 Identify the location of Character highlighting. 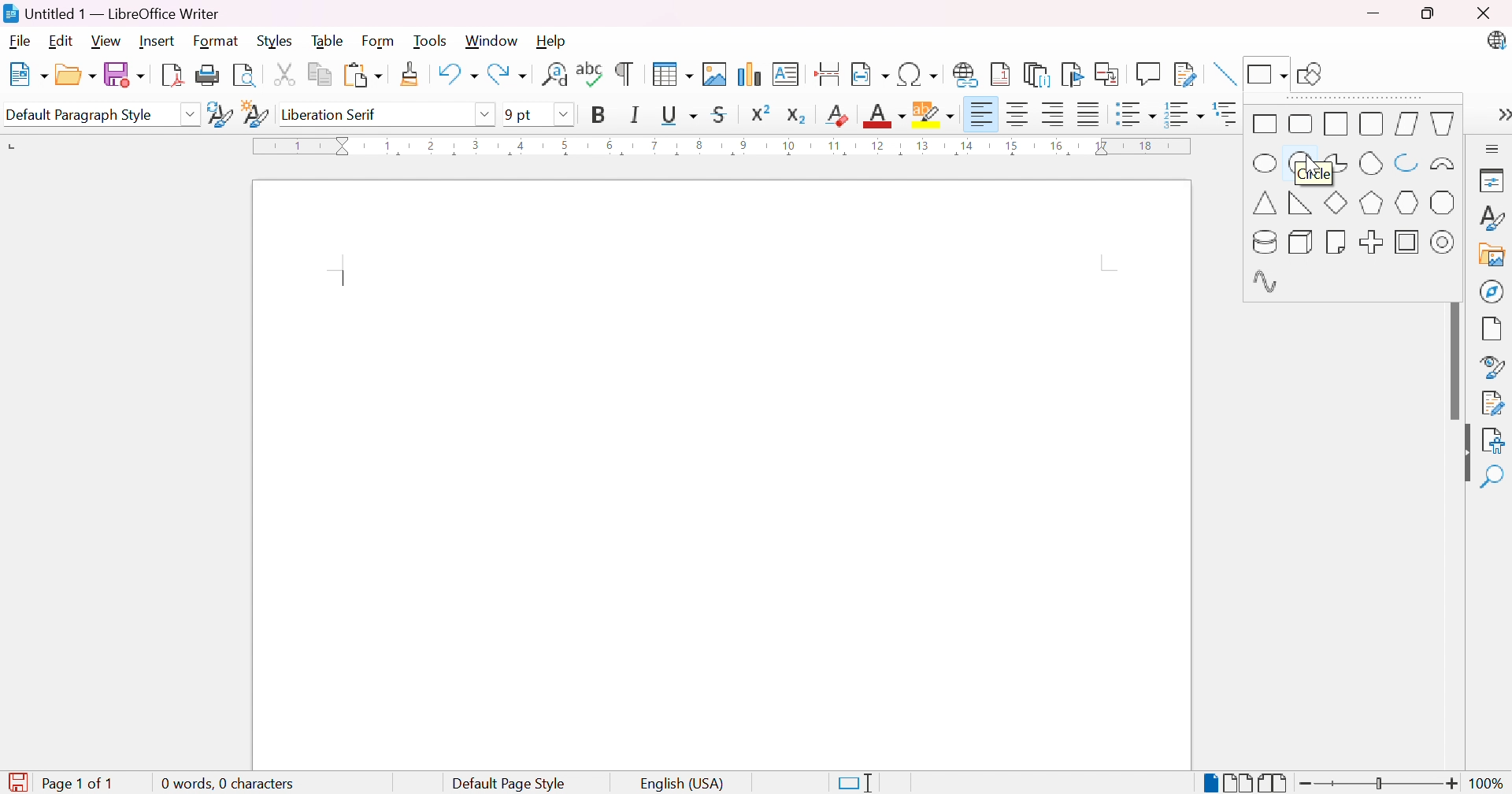
(933, 113).